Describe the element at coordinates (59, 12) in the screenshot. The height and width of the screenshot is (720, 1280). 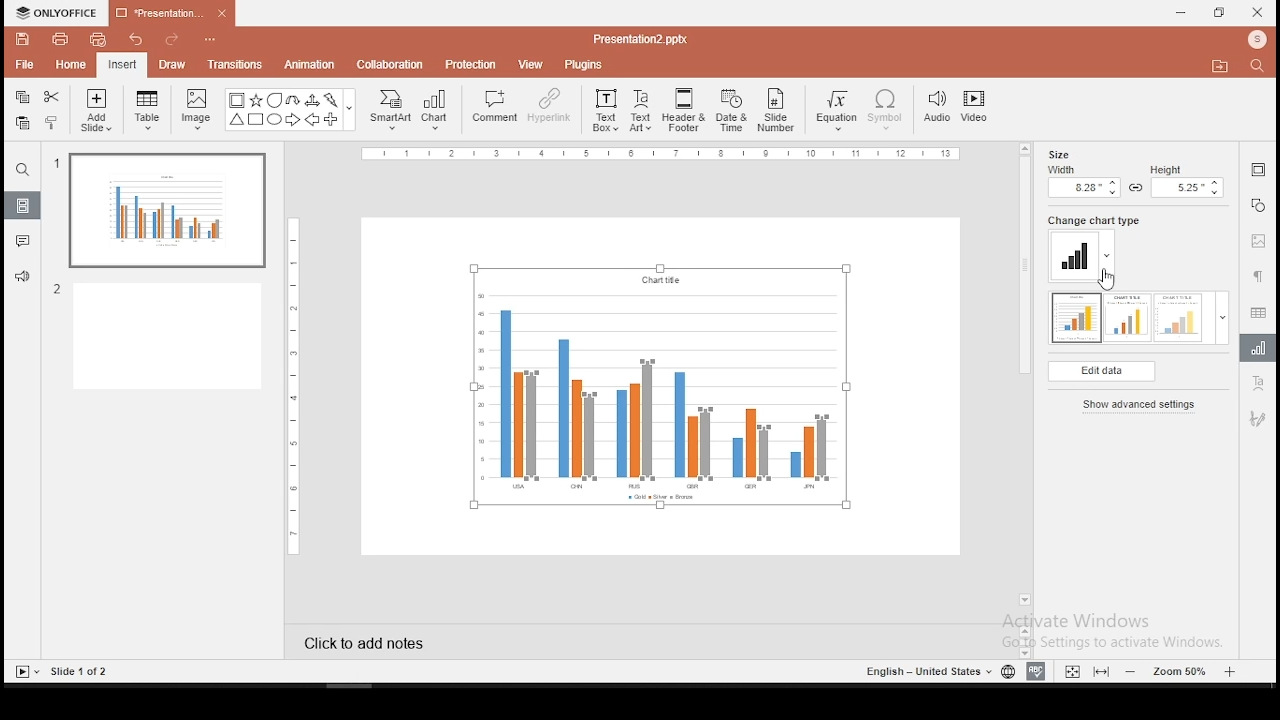
I see `icon` at that location.